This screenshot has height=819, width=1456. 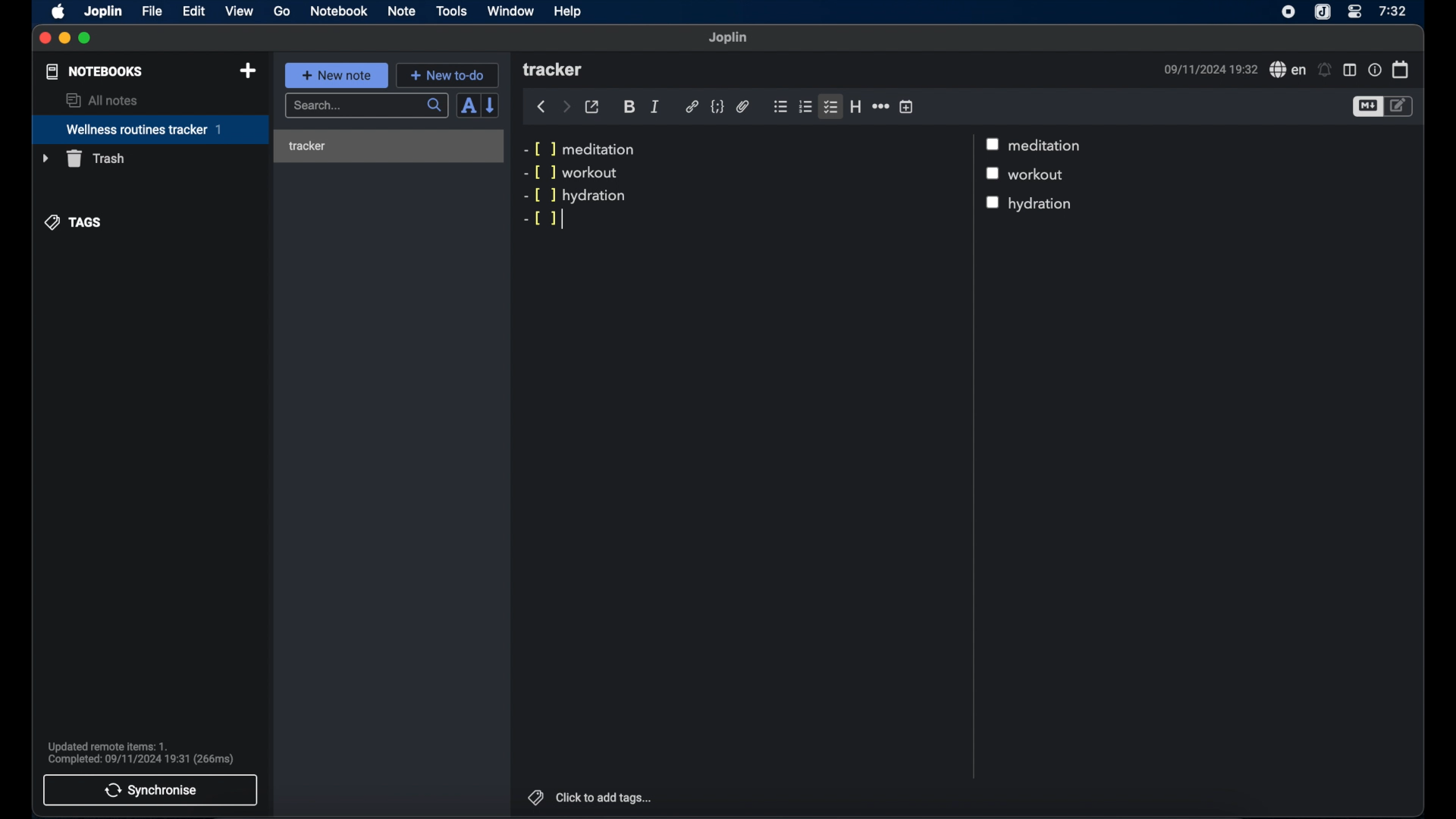 I want to click on hyperlink, so click(x=692, y=107).